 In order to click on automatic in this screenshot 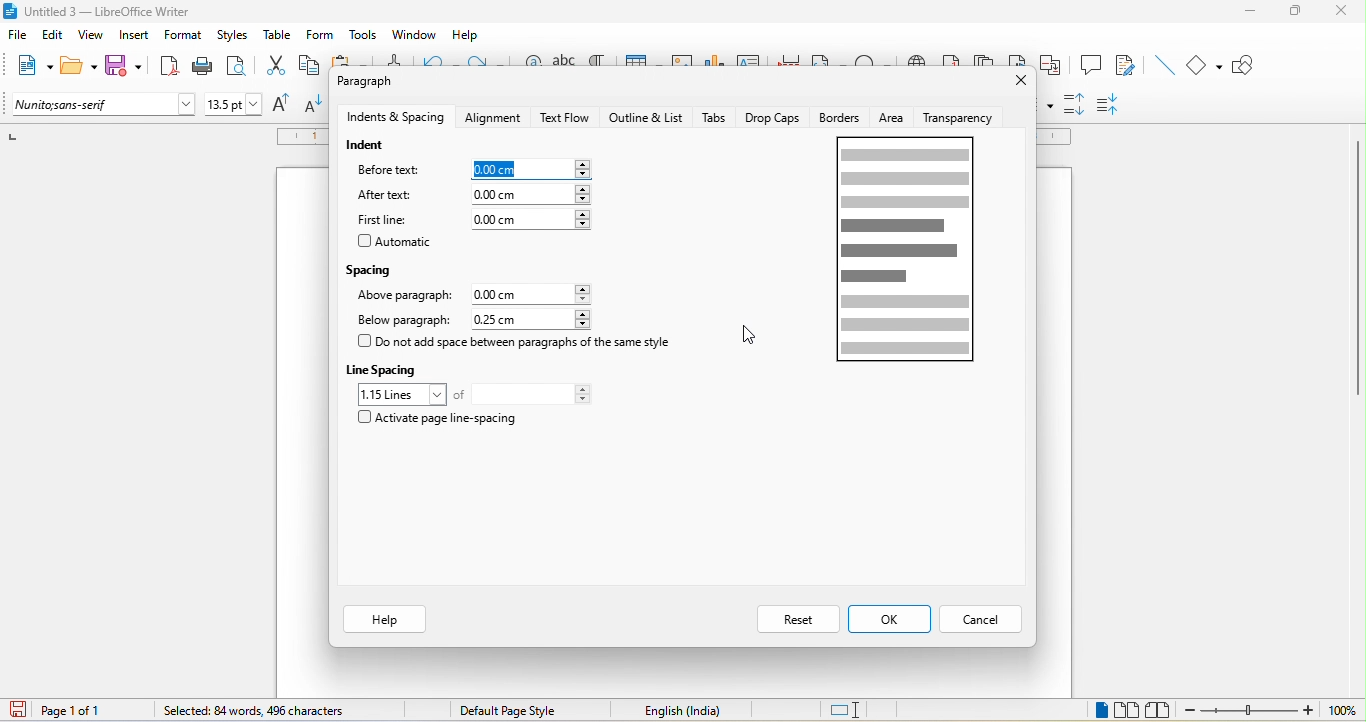, I will do `click(406, 244)`.